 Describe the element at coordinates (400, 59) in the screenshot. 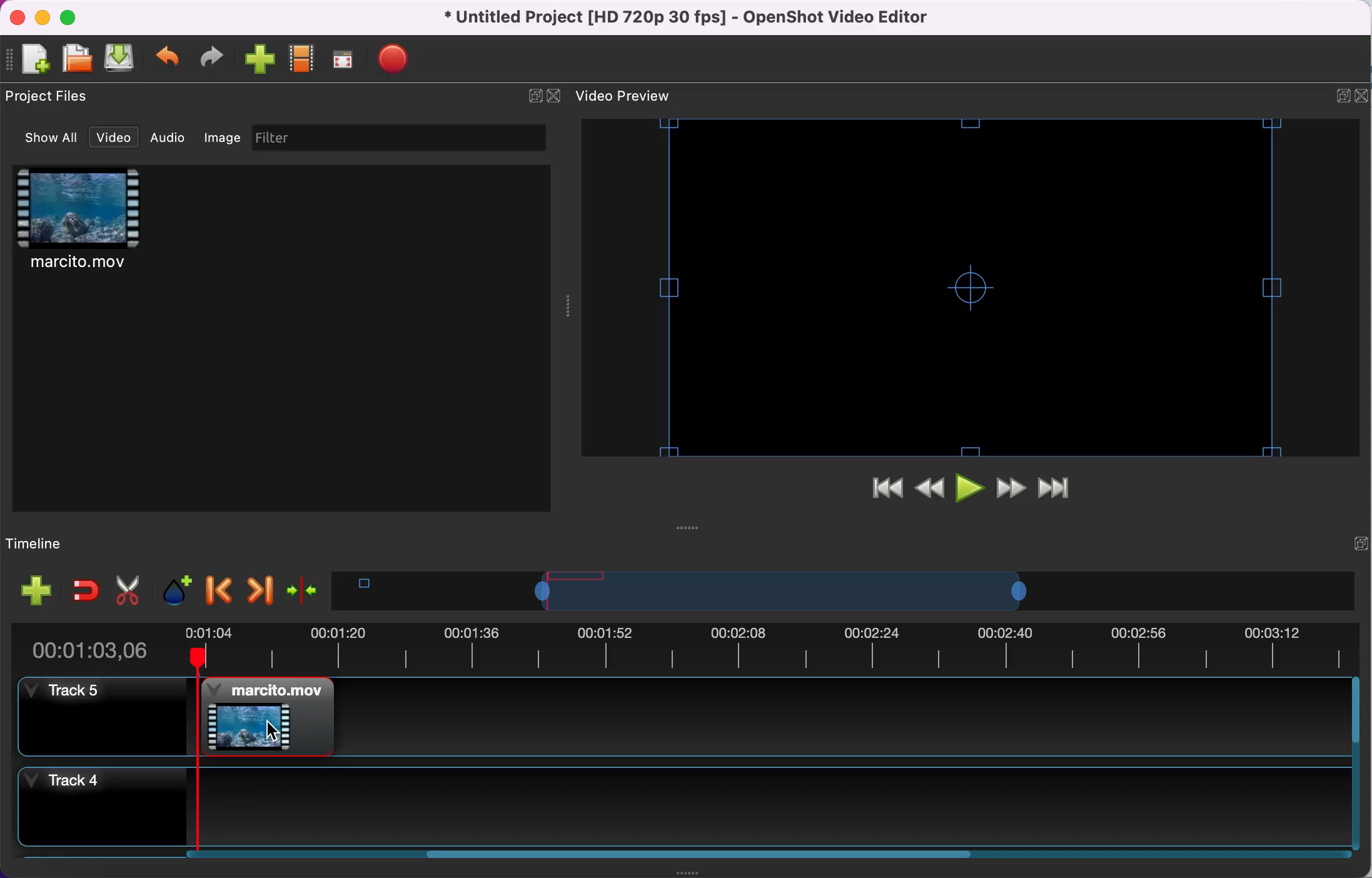

I see `export file` at that location.